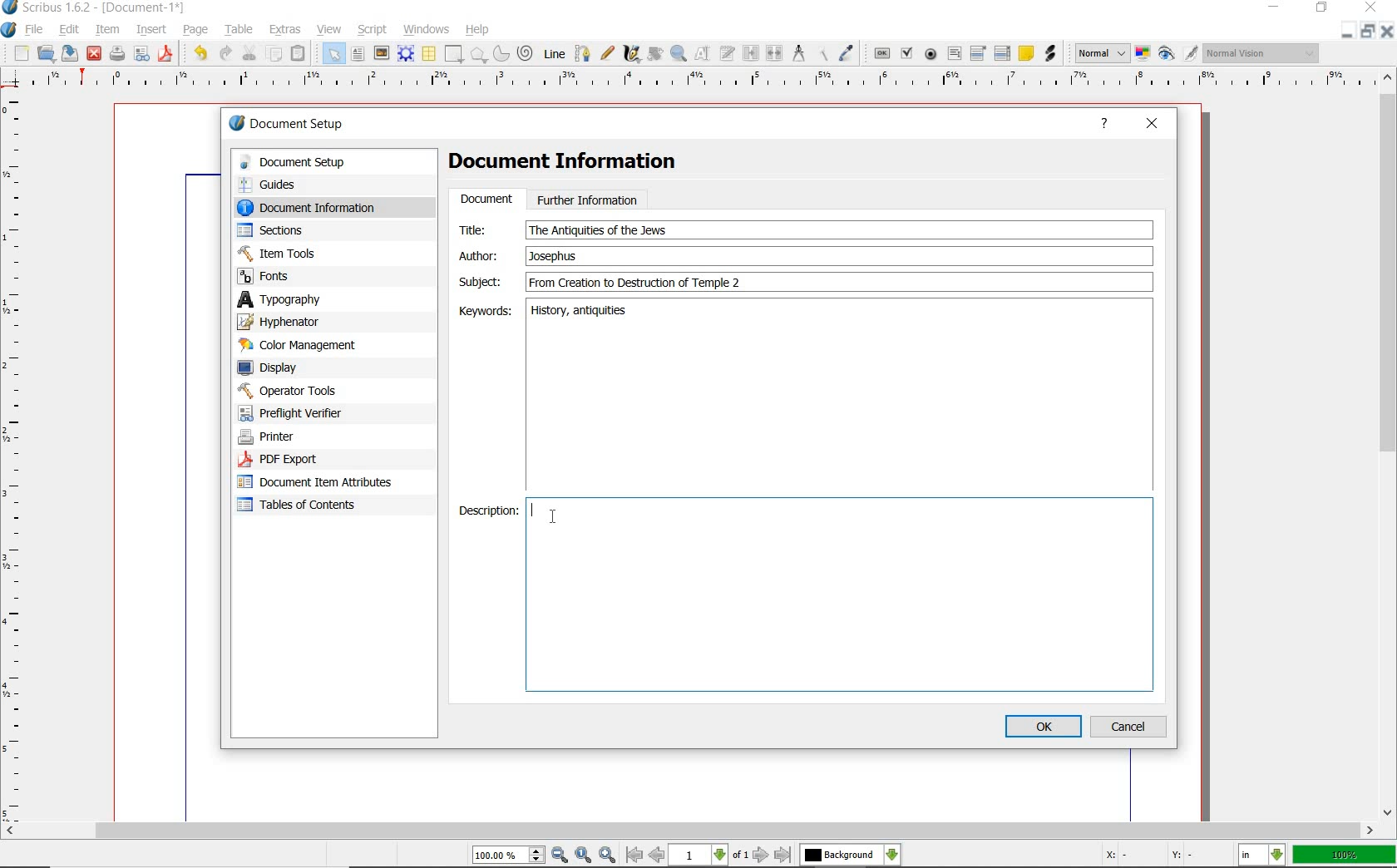 The height and width of the screenshot is (868, 1397). Describe the element at coordinates (606, 52) in the screenshot. I see `freehand line` at that location.